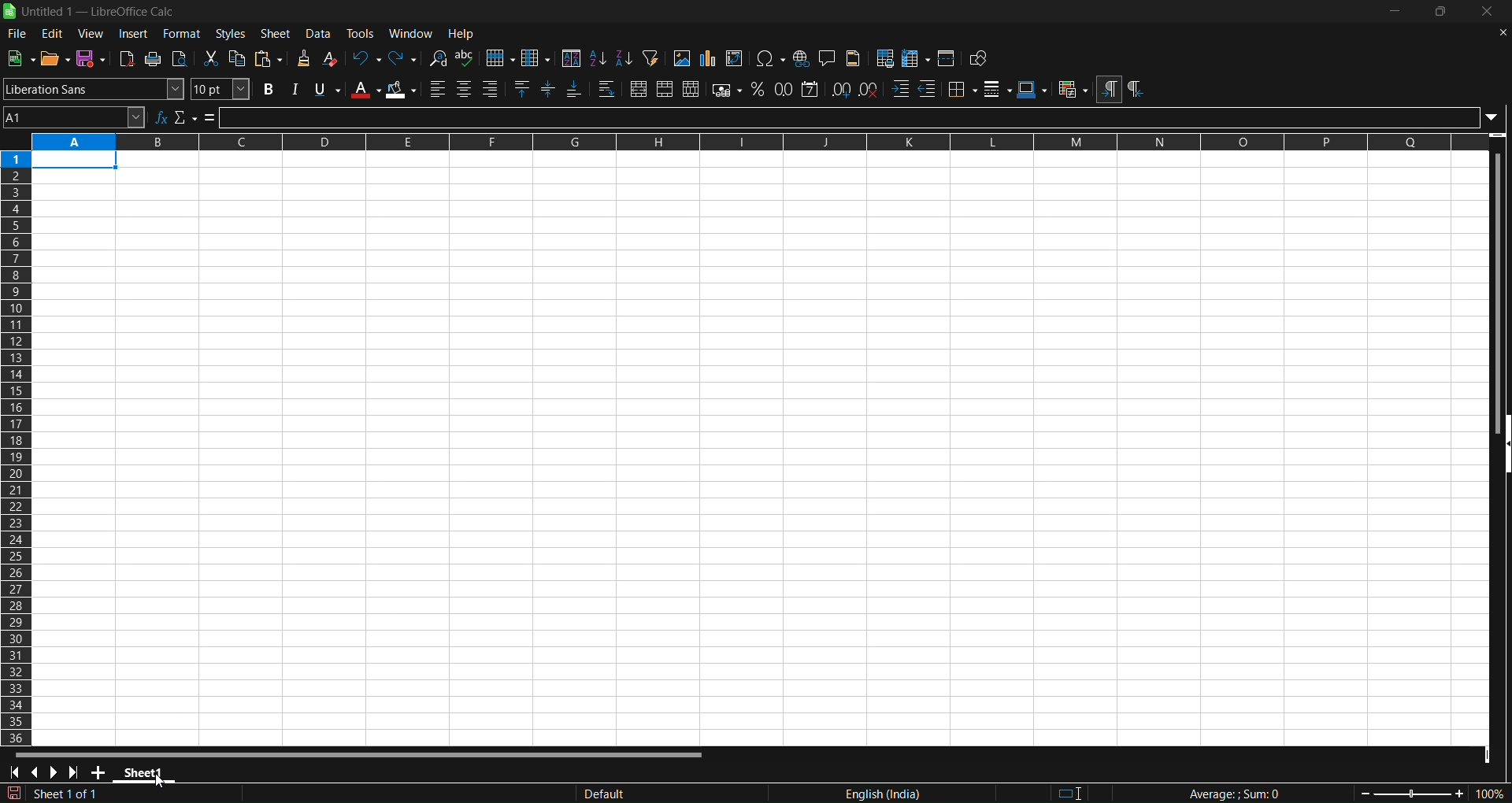 This screenshot has height=803, width=1512. Describe the element at coordinates (1220, 794) in the screenshot. I see `formula` at that location.